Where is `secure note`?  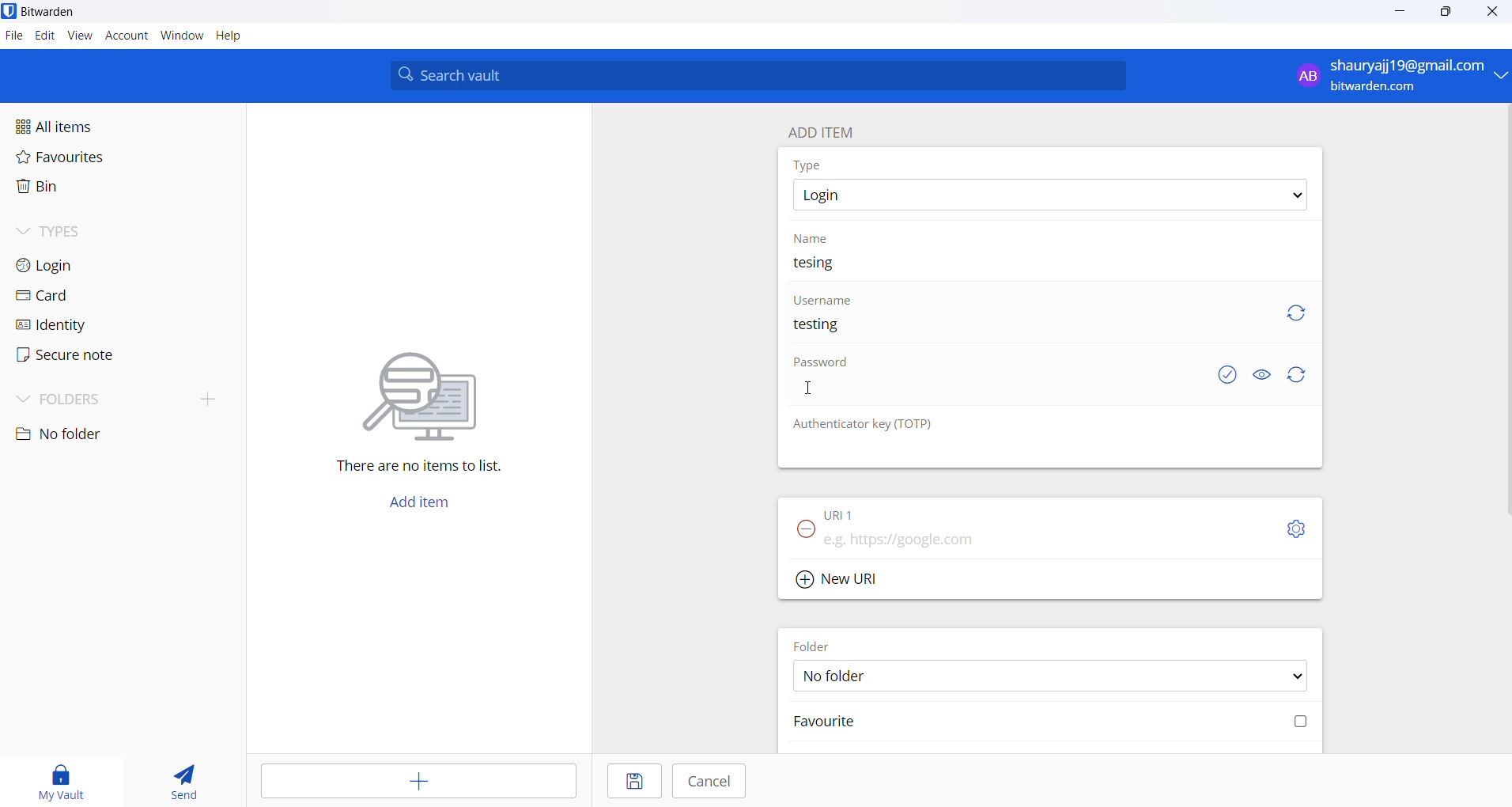 secure note is located at coordinates (63, 355).